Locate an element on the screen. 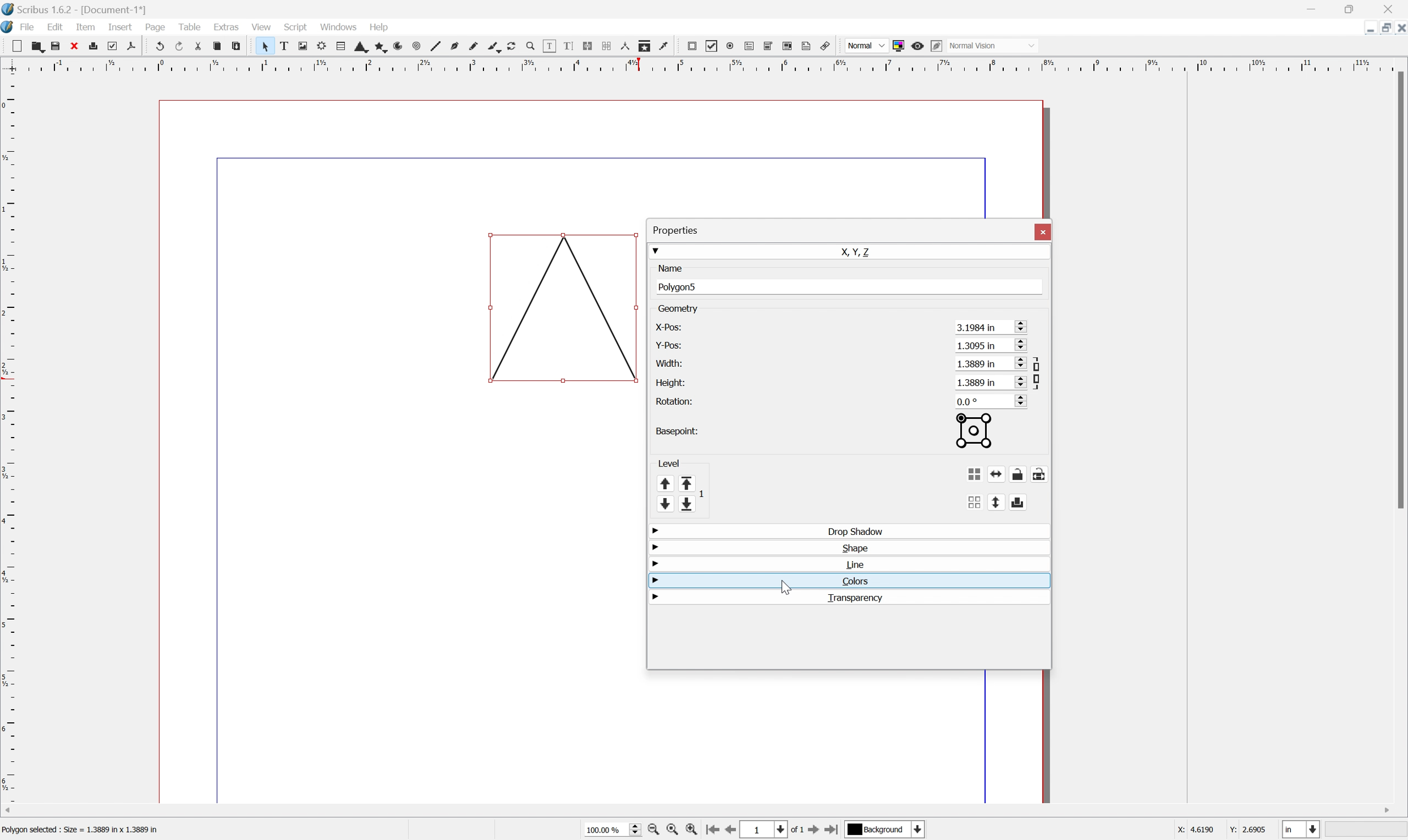  Edit is located at coordinates (57, 27).